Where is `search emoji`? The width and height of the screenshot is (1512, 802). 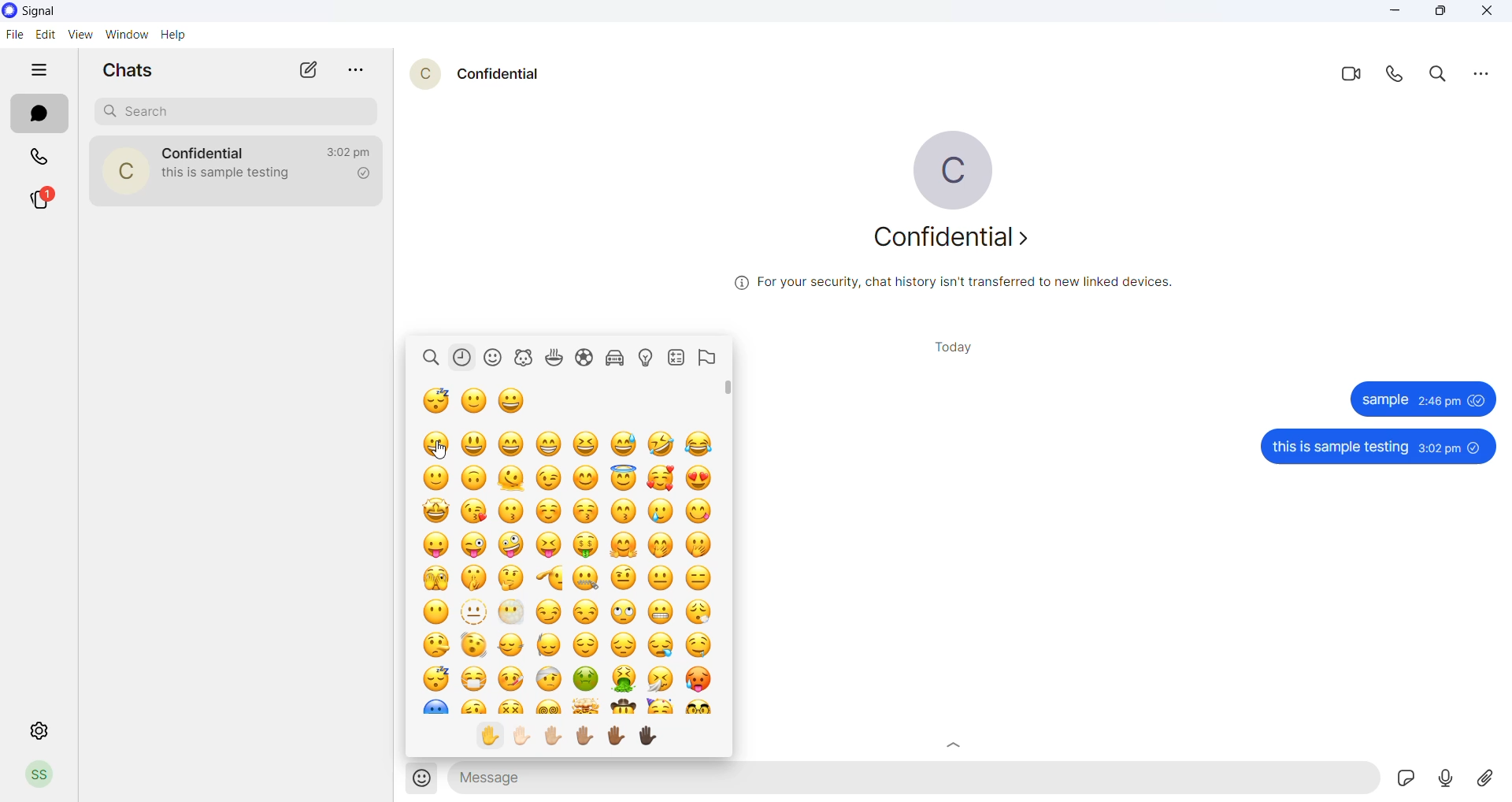
search emoji is located at coordinates (432, 358).